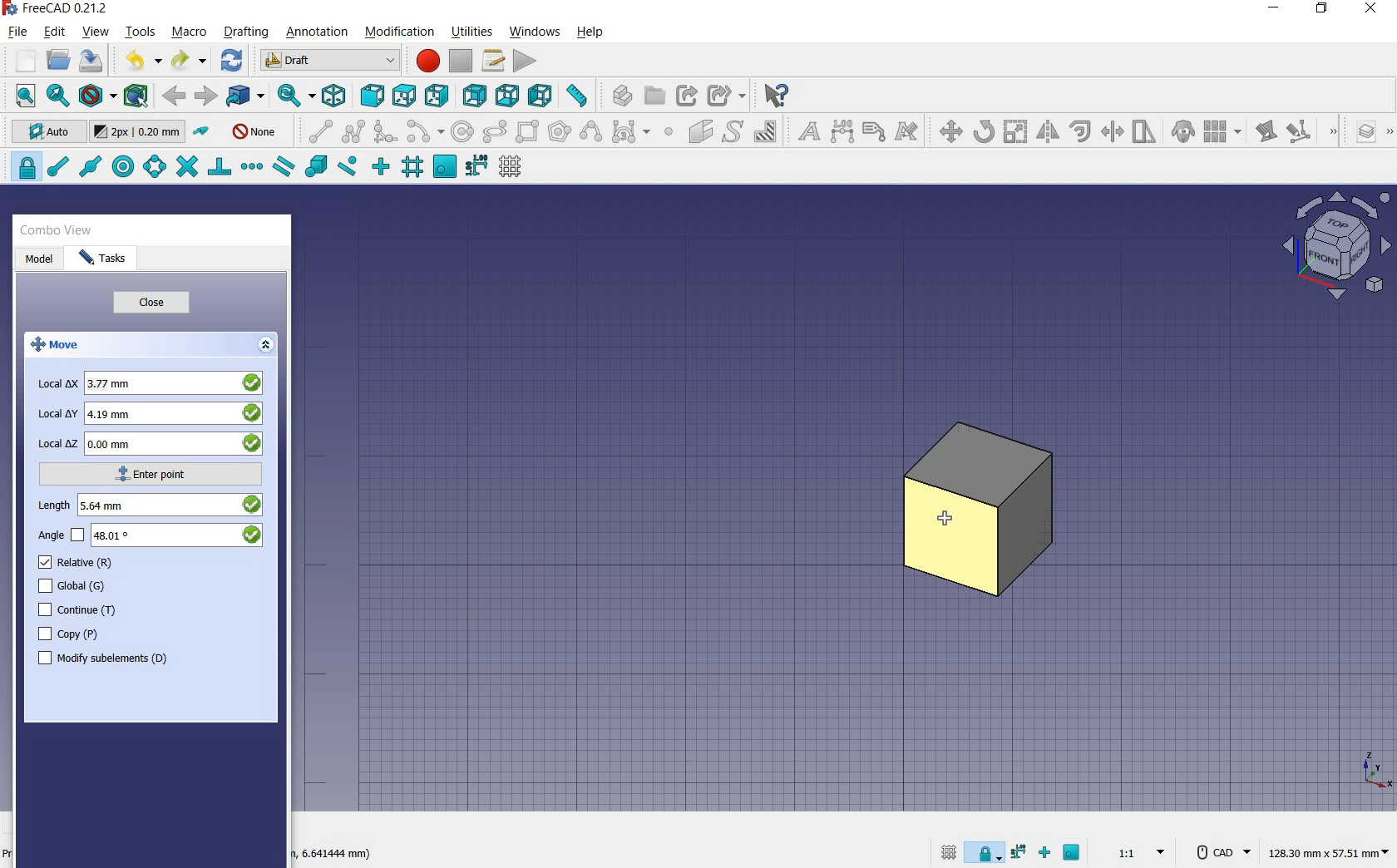  What do you see at coordinates (734, 131) in the screenshot?
I see `shape from text` at bounding box center [734, 131].